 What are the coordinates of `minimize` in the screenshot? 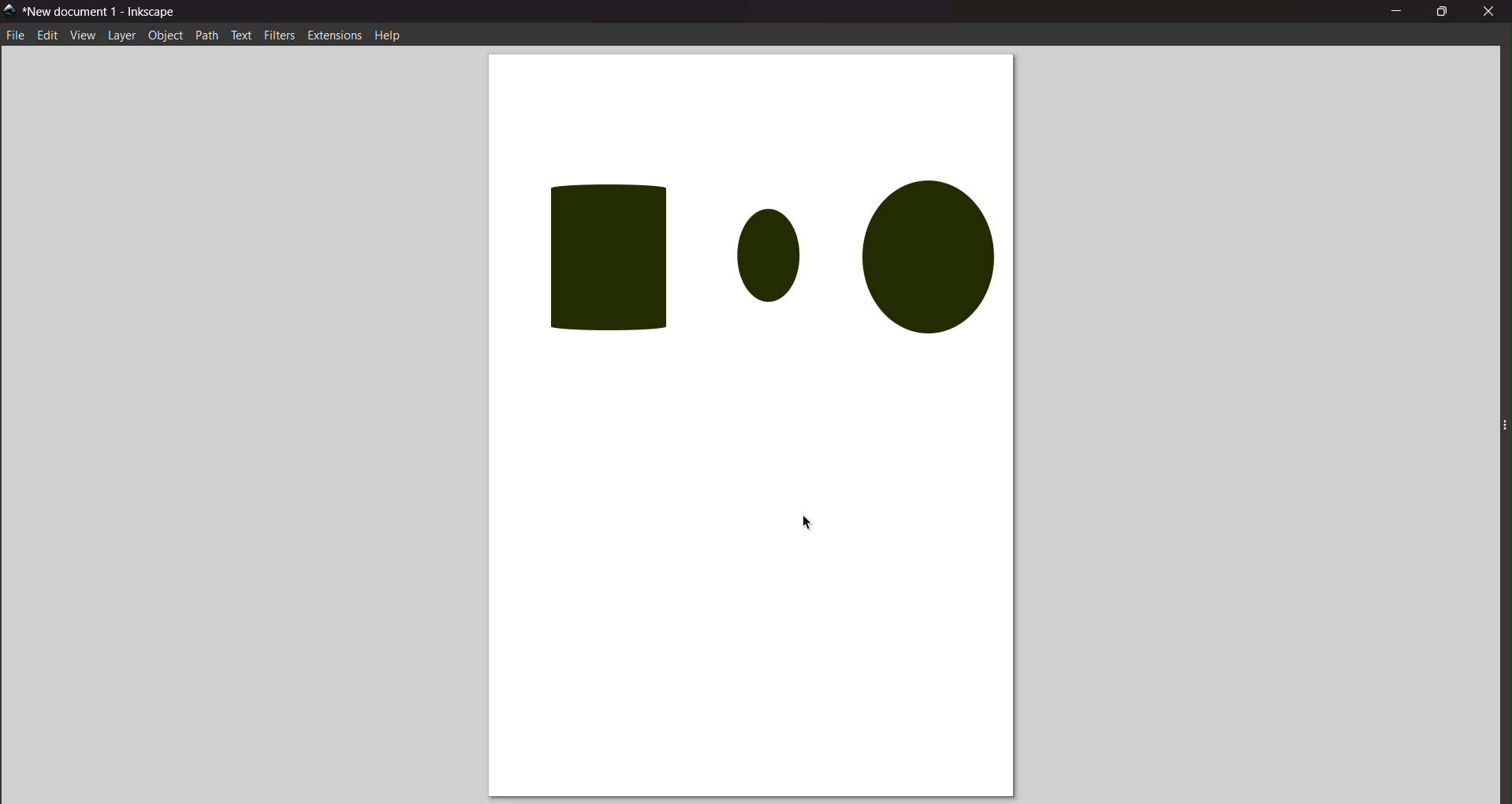 It's located at (1397, 13).